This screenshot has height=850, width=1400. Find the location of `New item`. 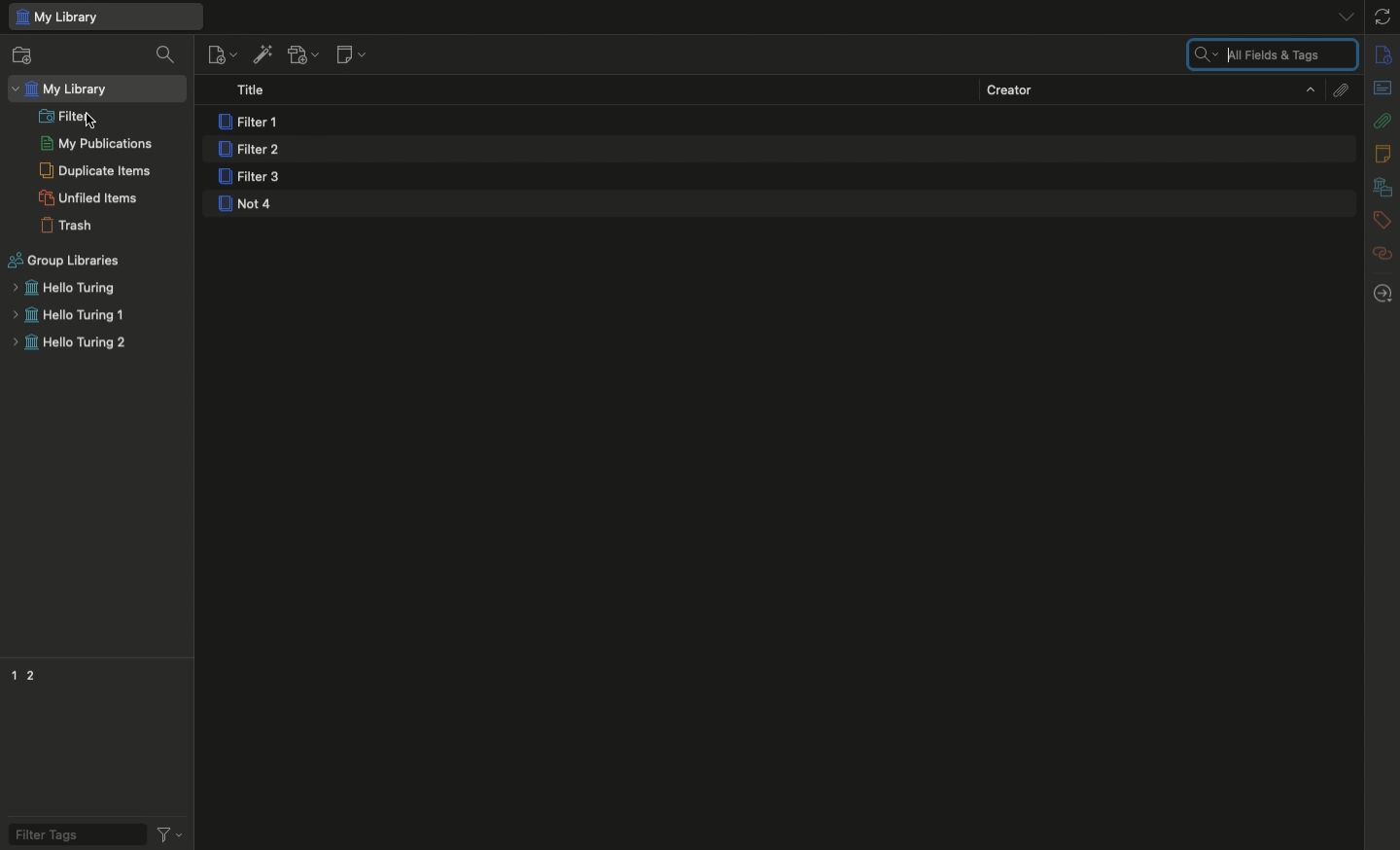

New item is located at coordinates (222, 53).